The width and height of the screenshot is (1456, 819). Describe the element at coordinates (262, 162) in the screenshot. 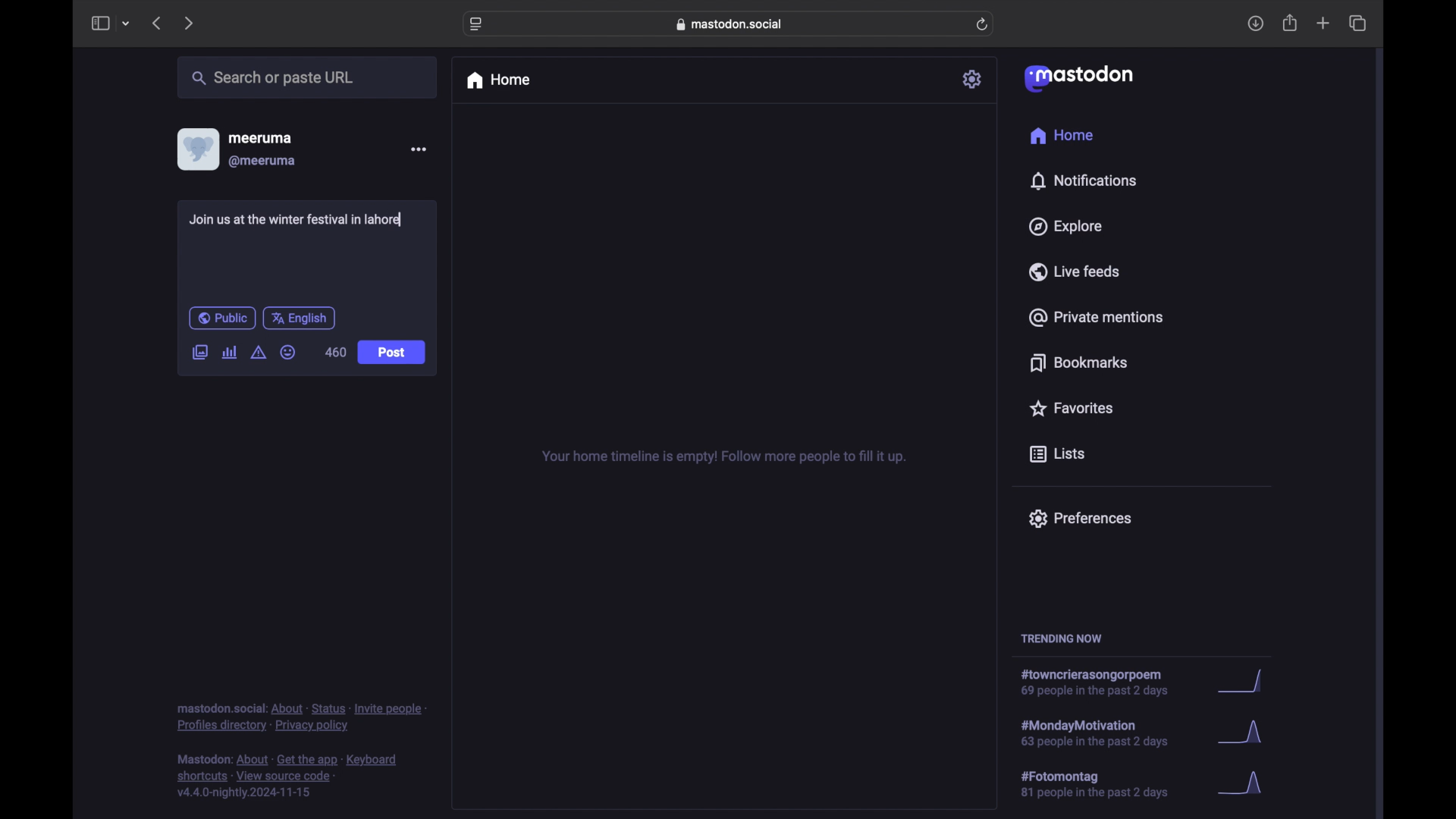

I see `@meeruma` at that location.